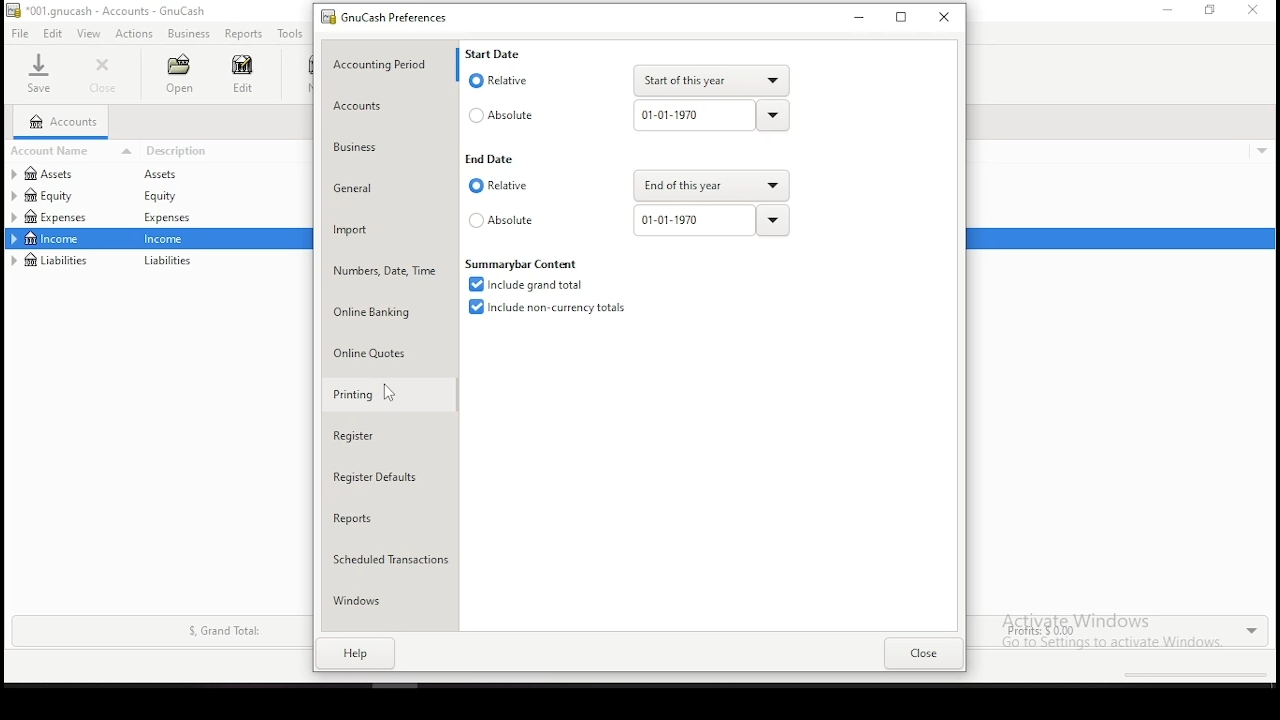 Image resolution: width=1280 pixels, height=720 pixels. What do you see at coordinates (224, 151) in the screenshot?
I see `descrtiption` at bounding box center [224, 151].